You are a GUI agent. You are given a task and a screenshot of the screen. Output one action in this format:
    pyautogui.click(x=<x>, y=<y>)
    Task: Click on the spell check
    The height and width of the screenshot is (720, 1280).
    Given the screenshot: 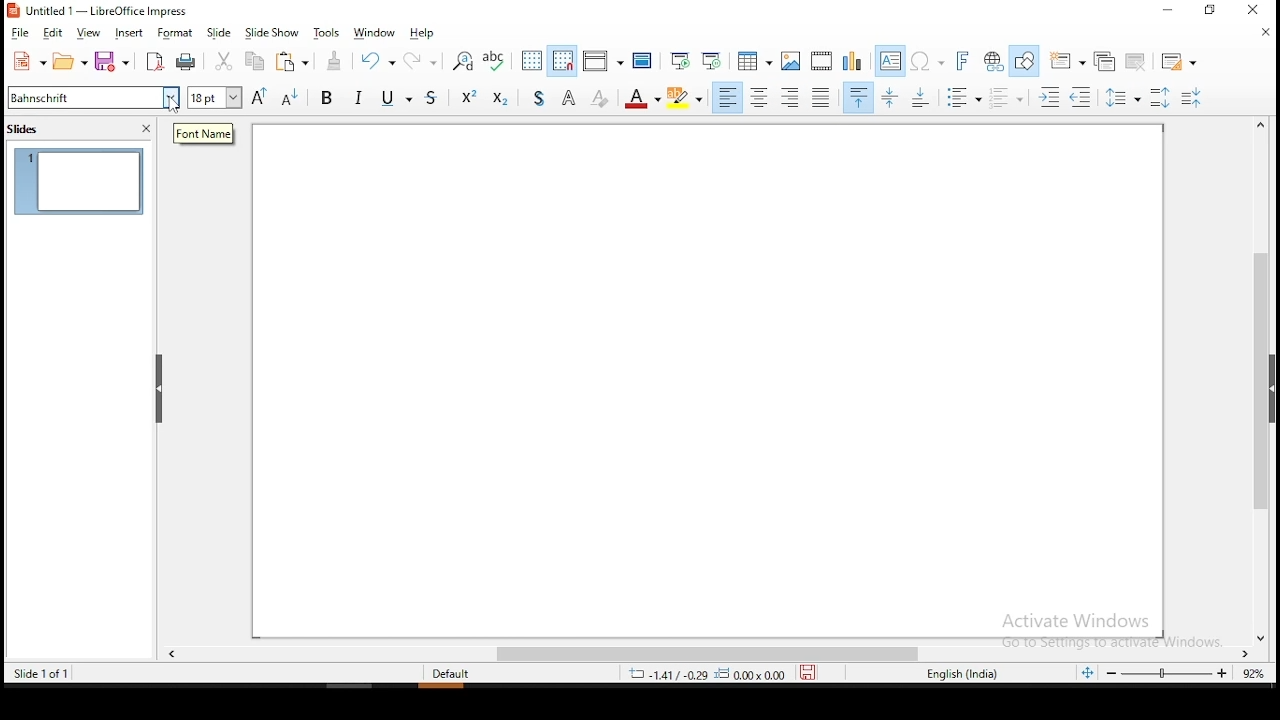 What is the action you would take?
    pyautogui.click(x=496, y=61)
    